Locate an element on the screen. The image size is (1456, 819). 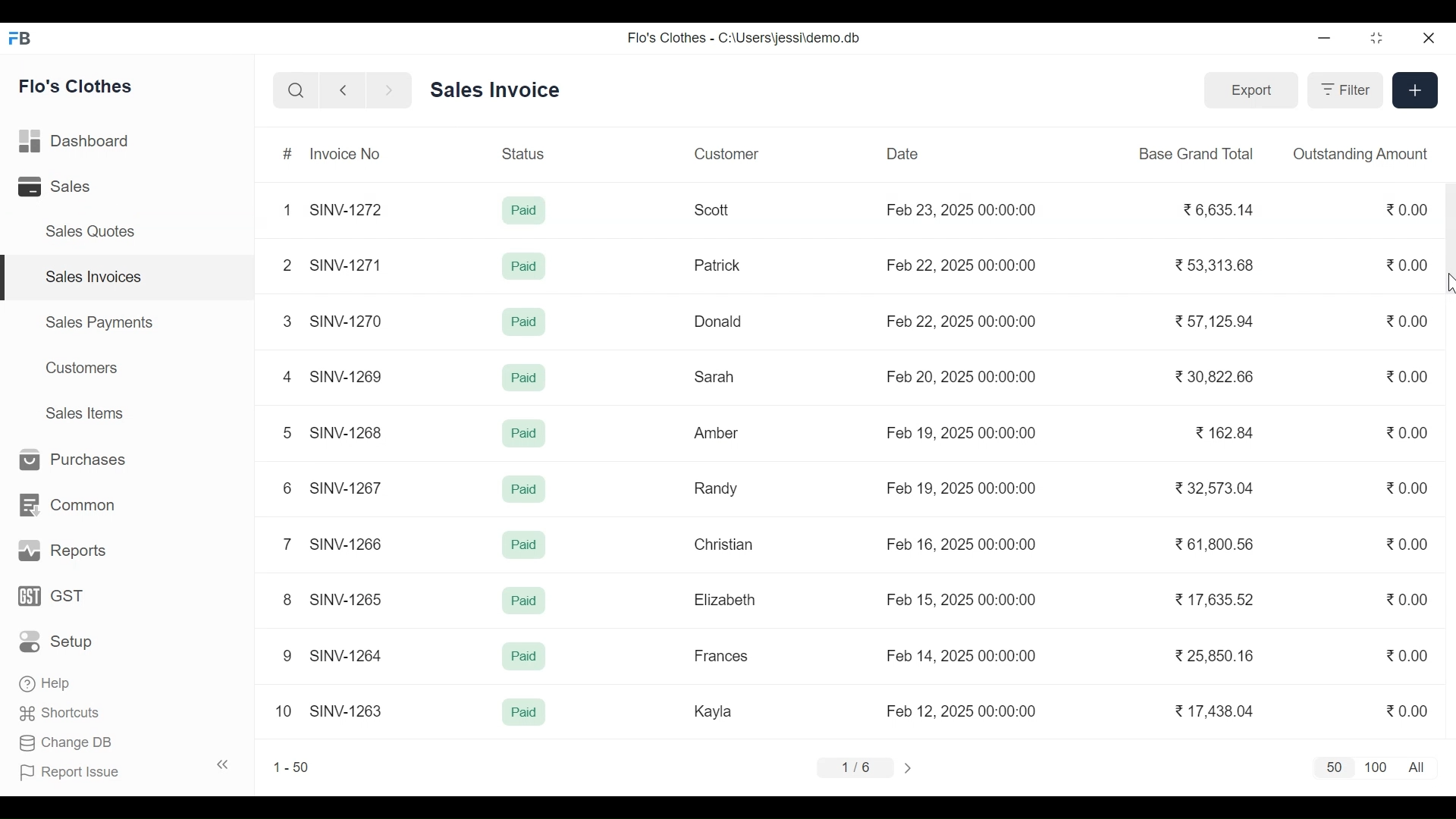
0.00 is located at coordinates (1406, 598).